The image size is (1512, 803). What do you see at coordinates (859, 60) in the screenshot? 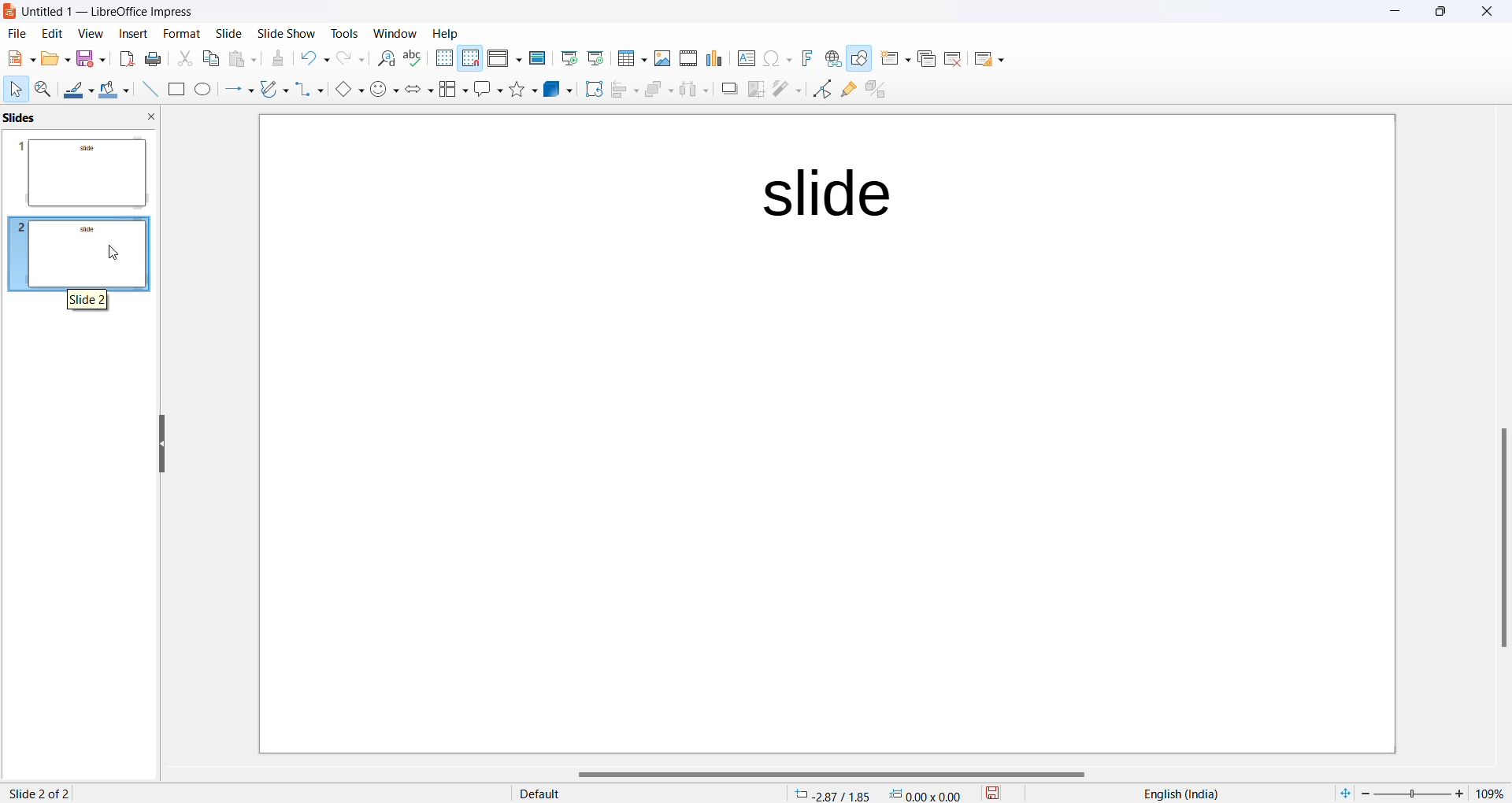
I see `Show draw function` at bounding box center [859, 60].